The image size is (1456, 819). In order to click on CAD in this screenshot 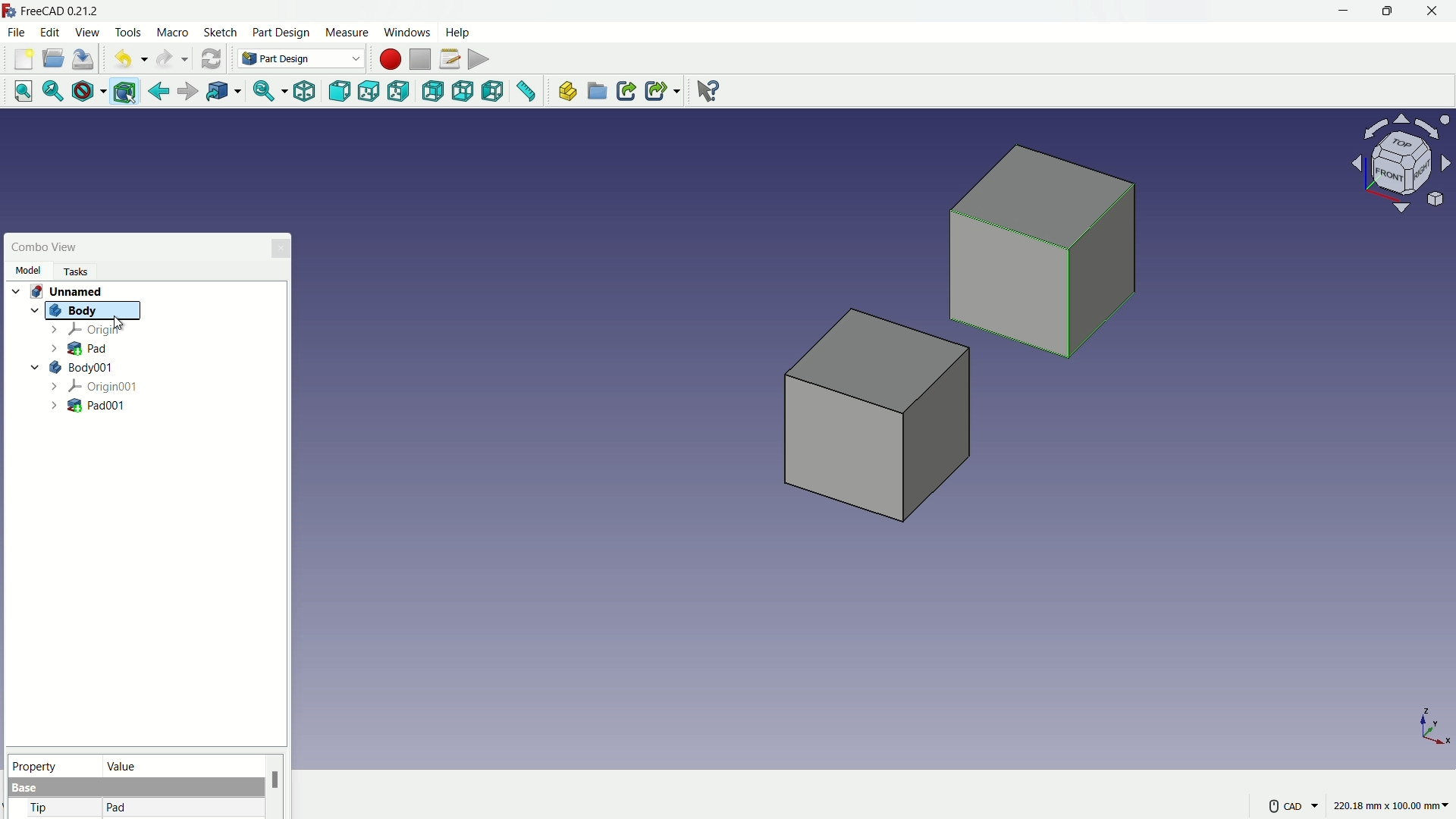, I will do `click(1291, 805)`.